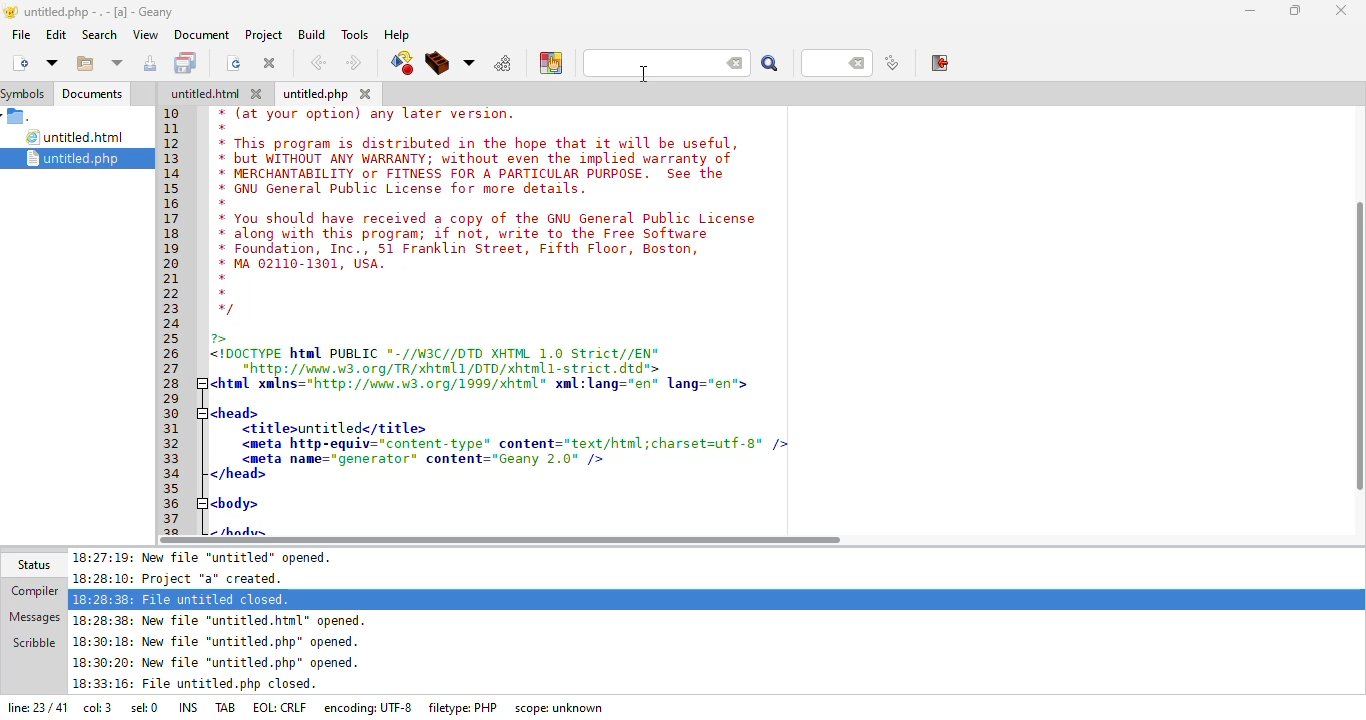 This screenshot has height=720, width=1366. What do you see at coordinates (177, 236) in the screenshot?
I see `18` at bounding box center [177, 236].